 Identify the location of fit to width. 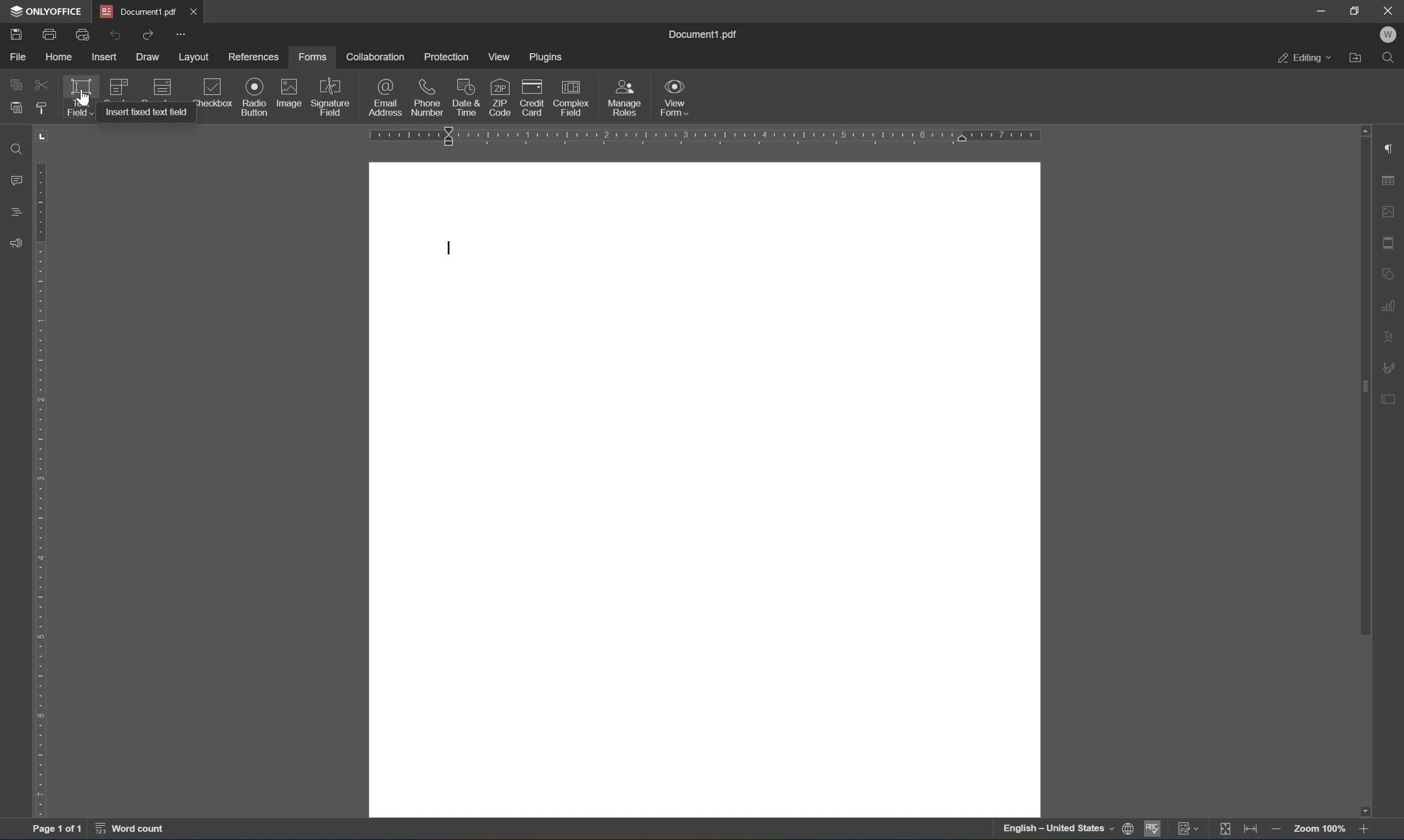
(1253, 832).